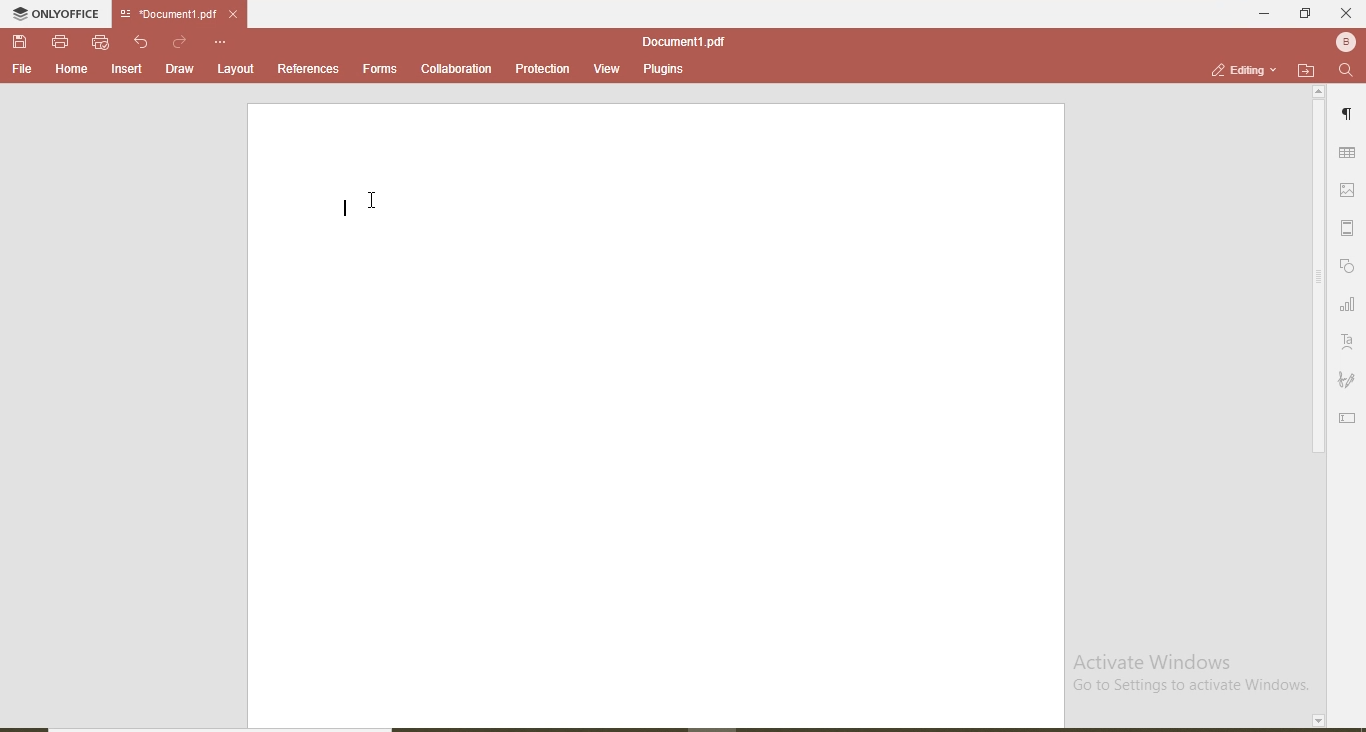 This screenshot has height=732, width=1366. Describe the element at coordinates (1319, 92) in the screenshot. I see `page up` at that location.